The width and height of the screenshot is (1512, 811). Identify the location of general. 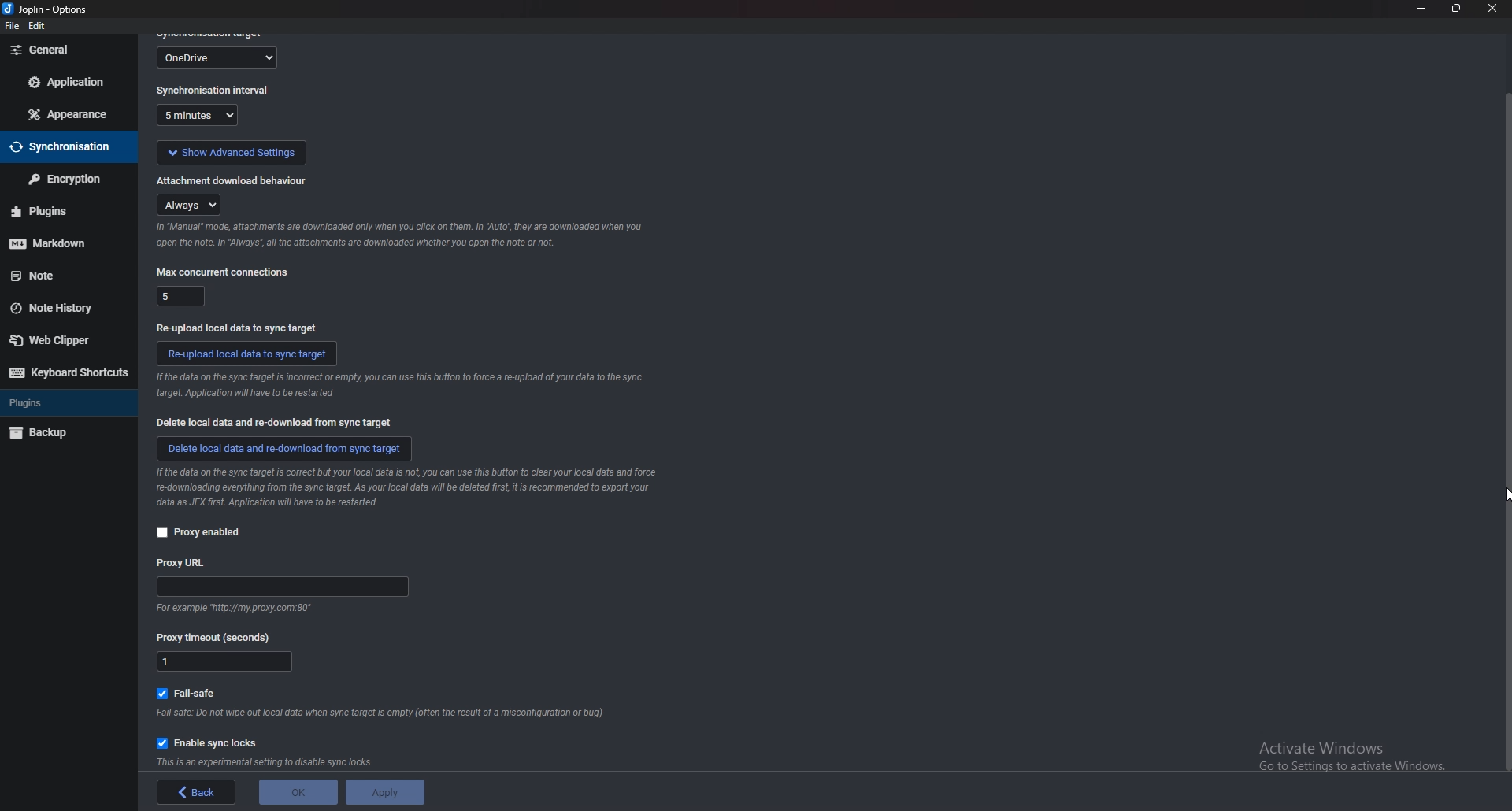
(69, 50).